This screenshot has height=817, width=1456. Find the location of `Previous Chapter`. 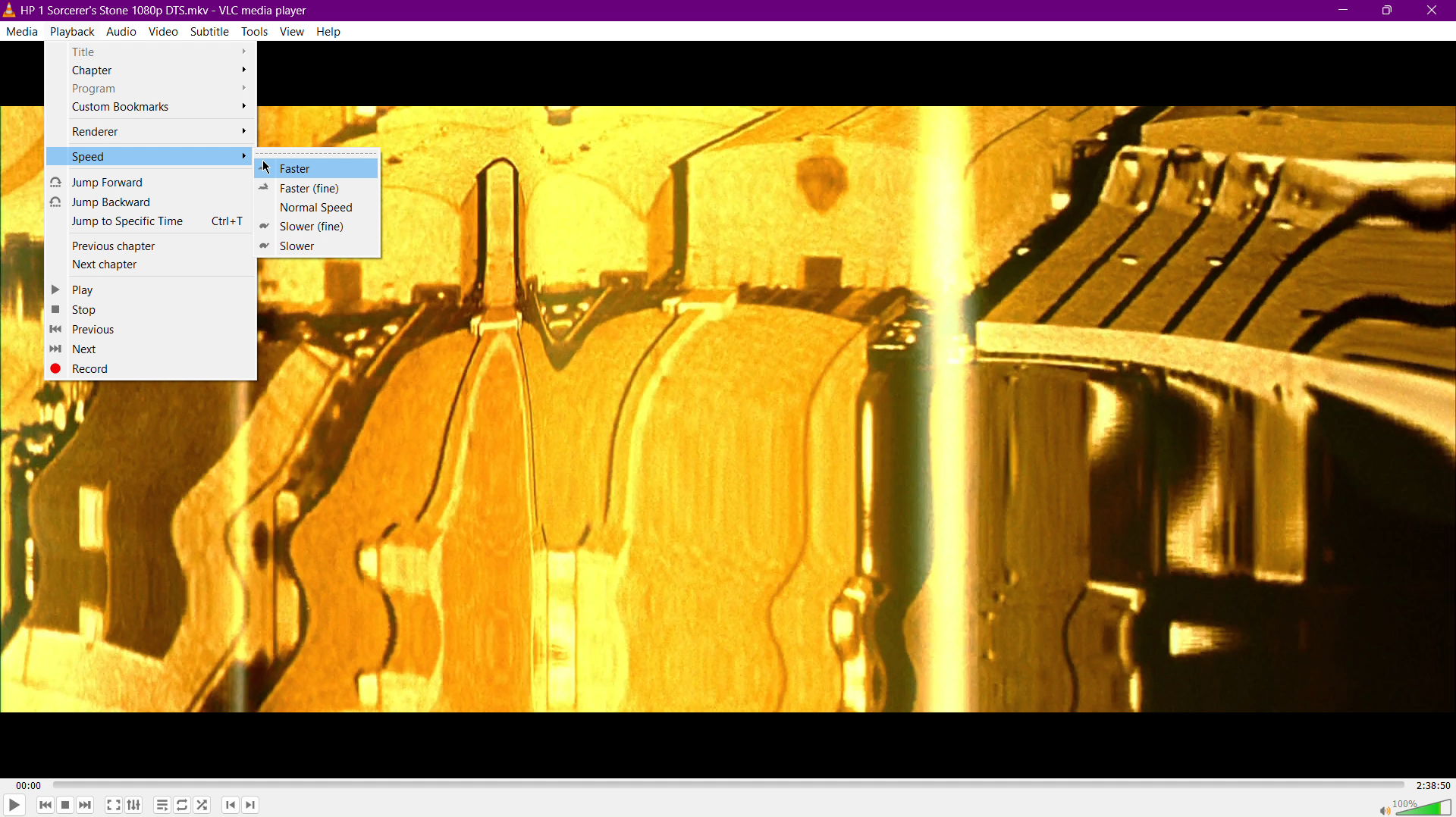

Previous Chapter is located at coordinates (151, 246).